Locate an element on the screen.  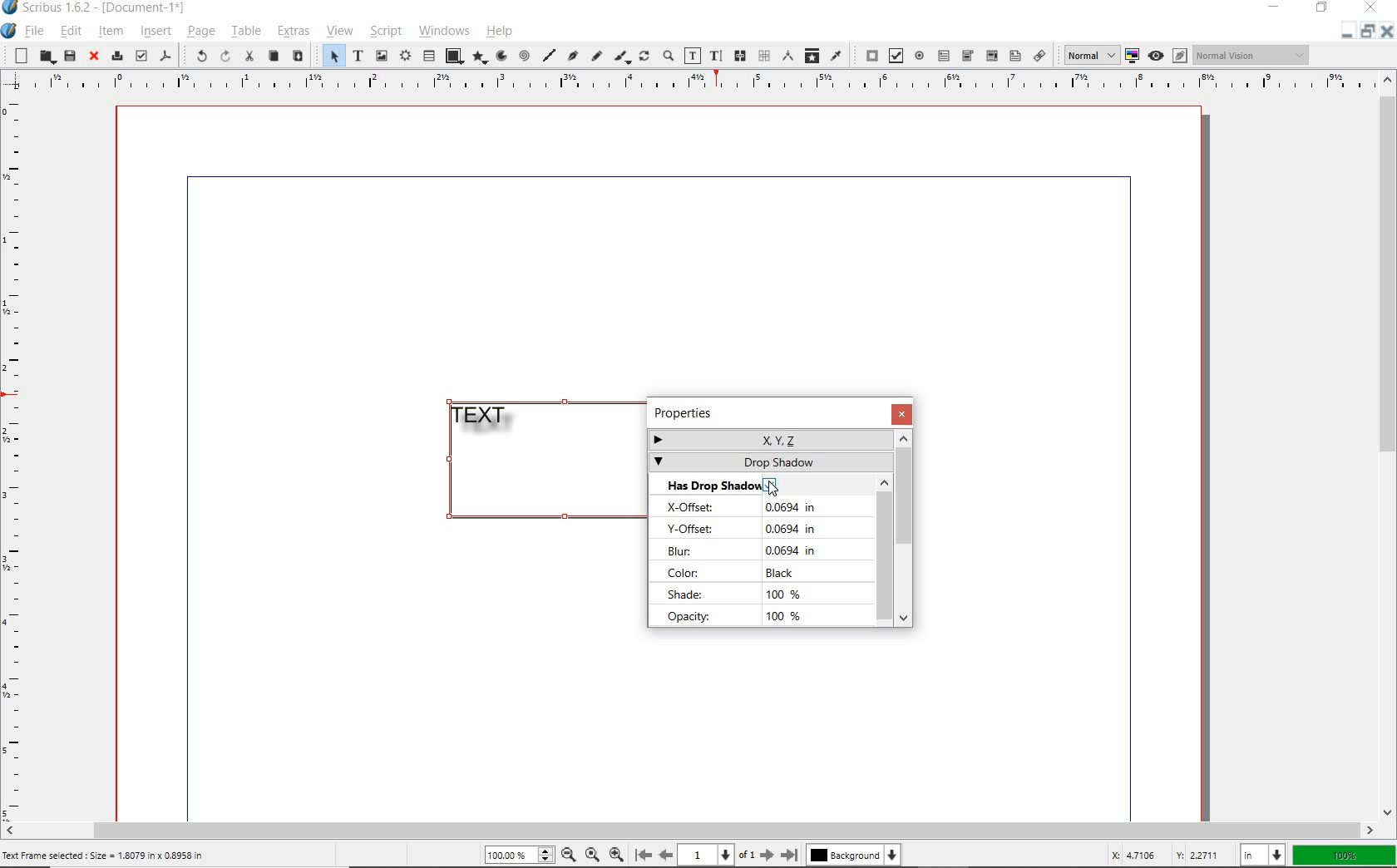
Next Page is located at coordinates (768, 855).